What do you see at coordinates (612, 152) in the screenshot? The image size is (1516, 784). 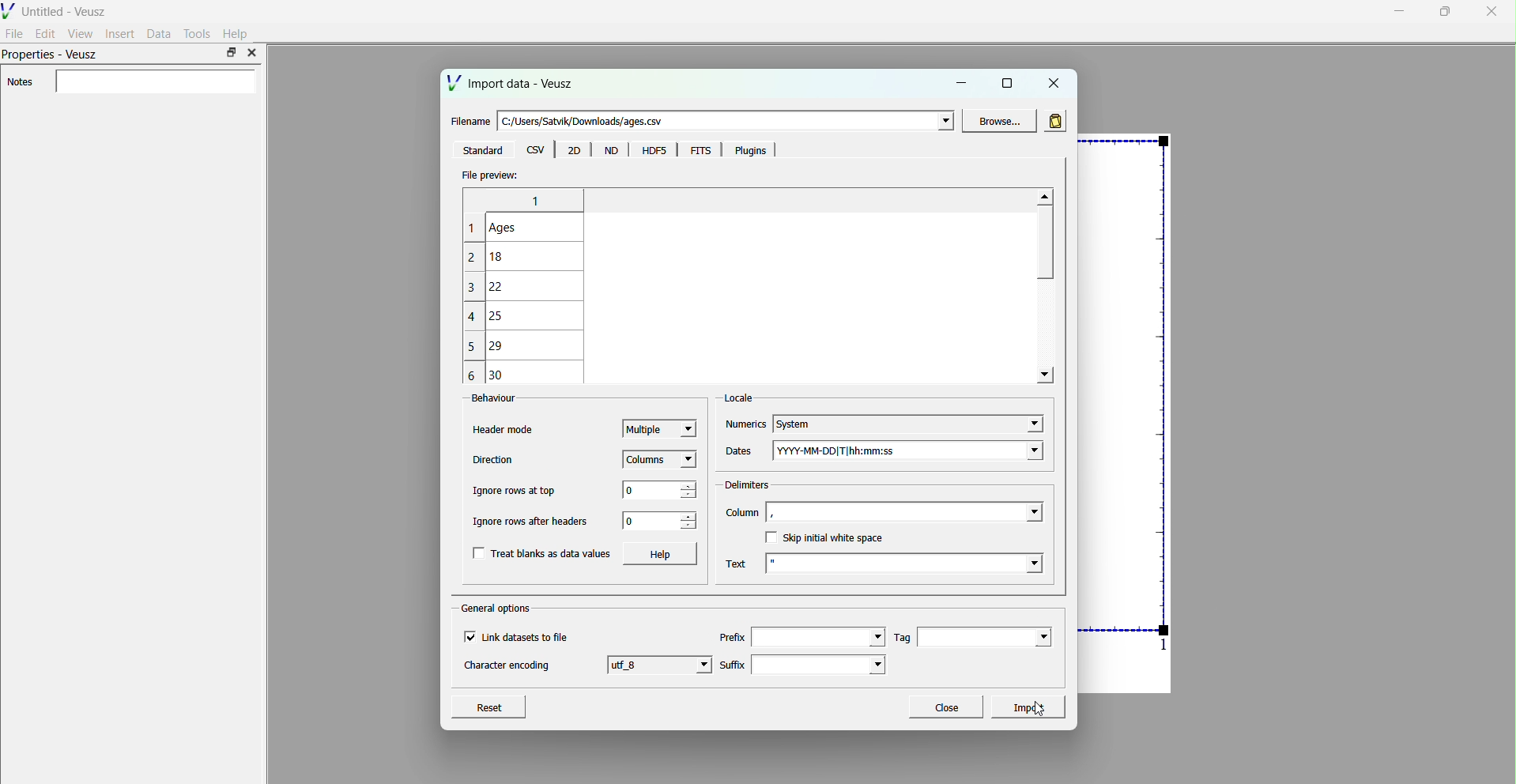 I see `` at bounding box center [612, 152].